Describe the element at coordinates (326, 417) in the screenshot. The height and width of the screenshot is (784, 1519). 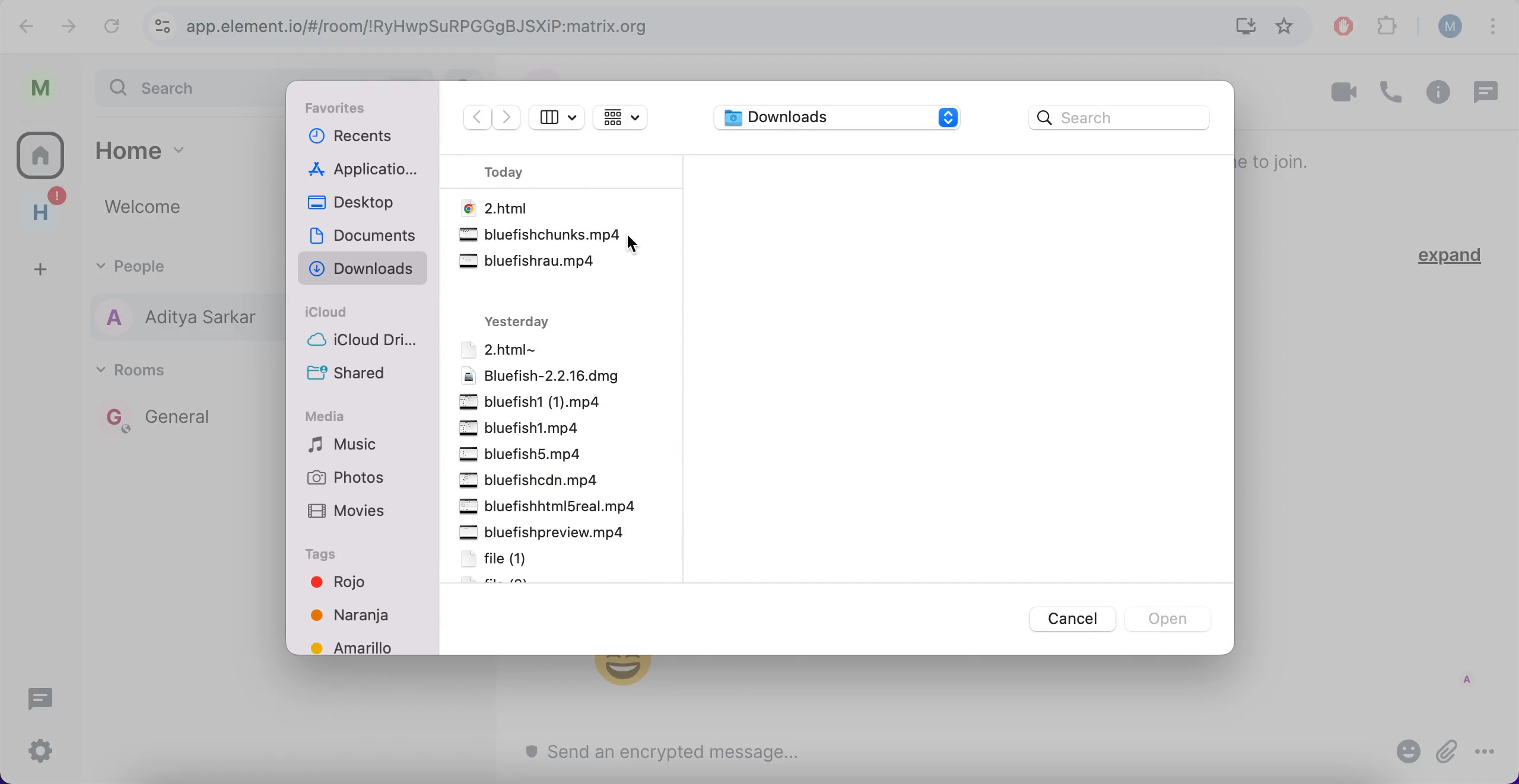
I see `media` at that location.